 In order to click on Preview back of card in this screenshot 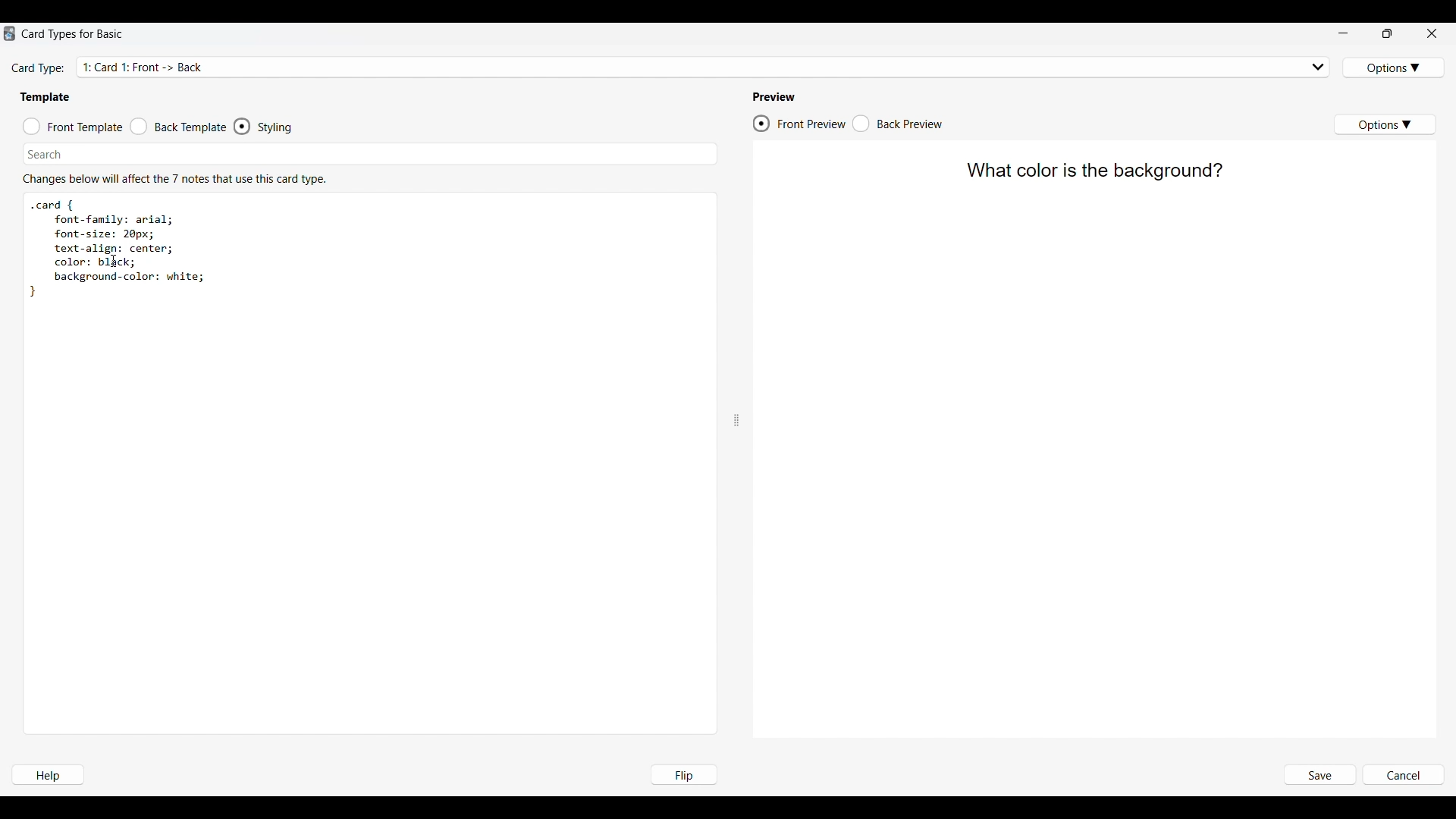, I will do `click(898, 124)`.